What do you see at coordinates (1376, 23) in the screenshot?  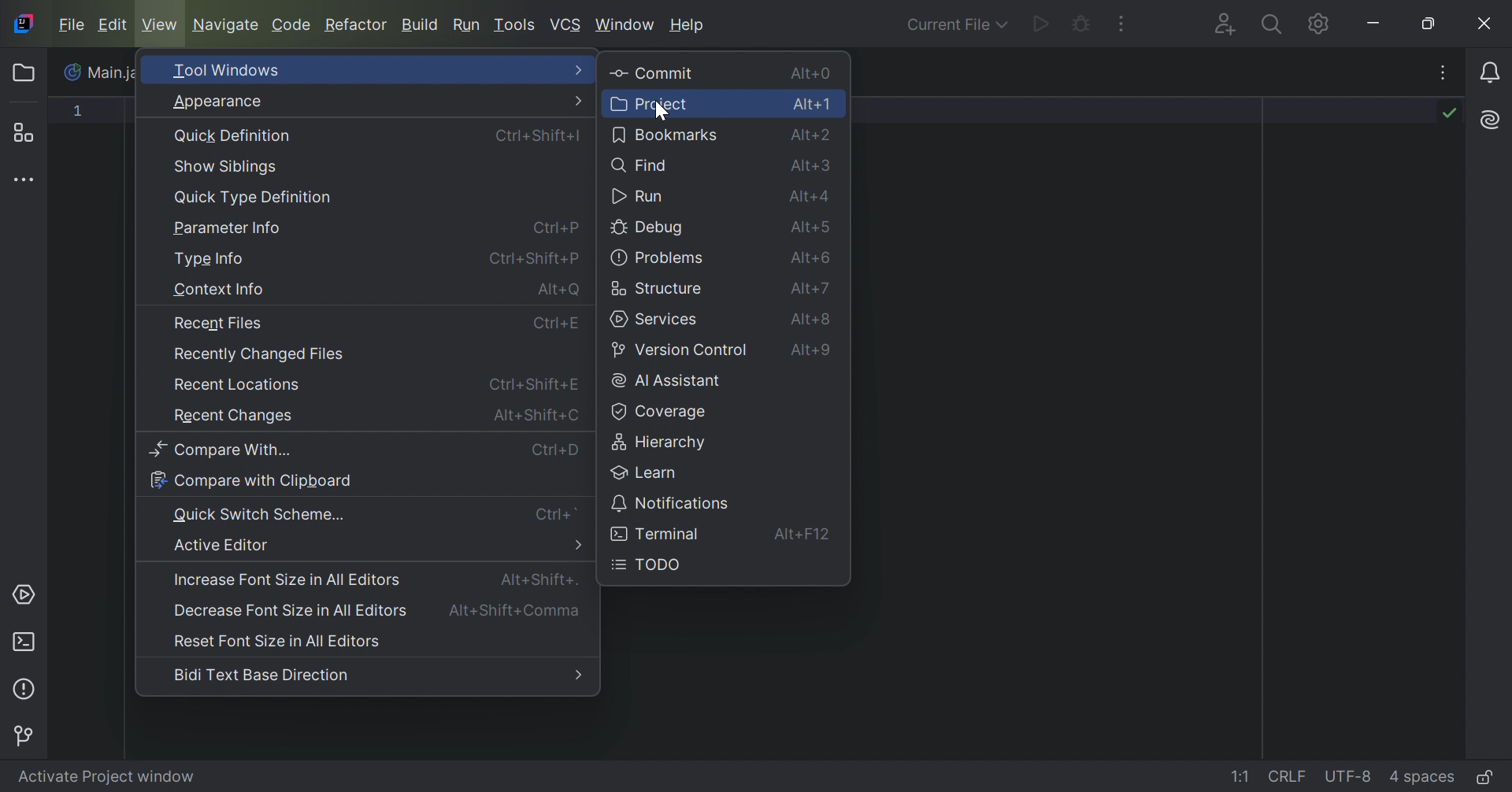 I see `Minimize` at bounding box center [1376, 23].